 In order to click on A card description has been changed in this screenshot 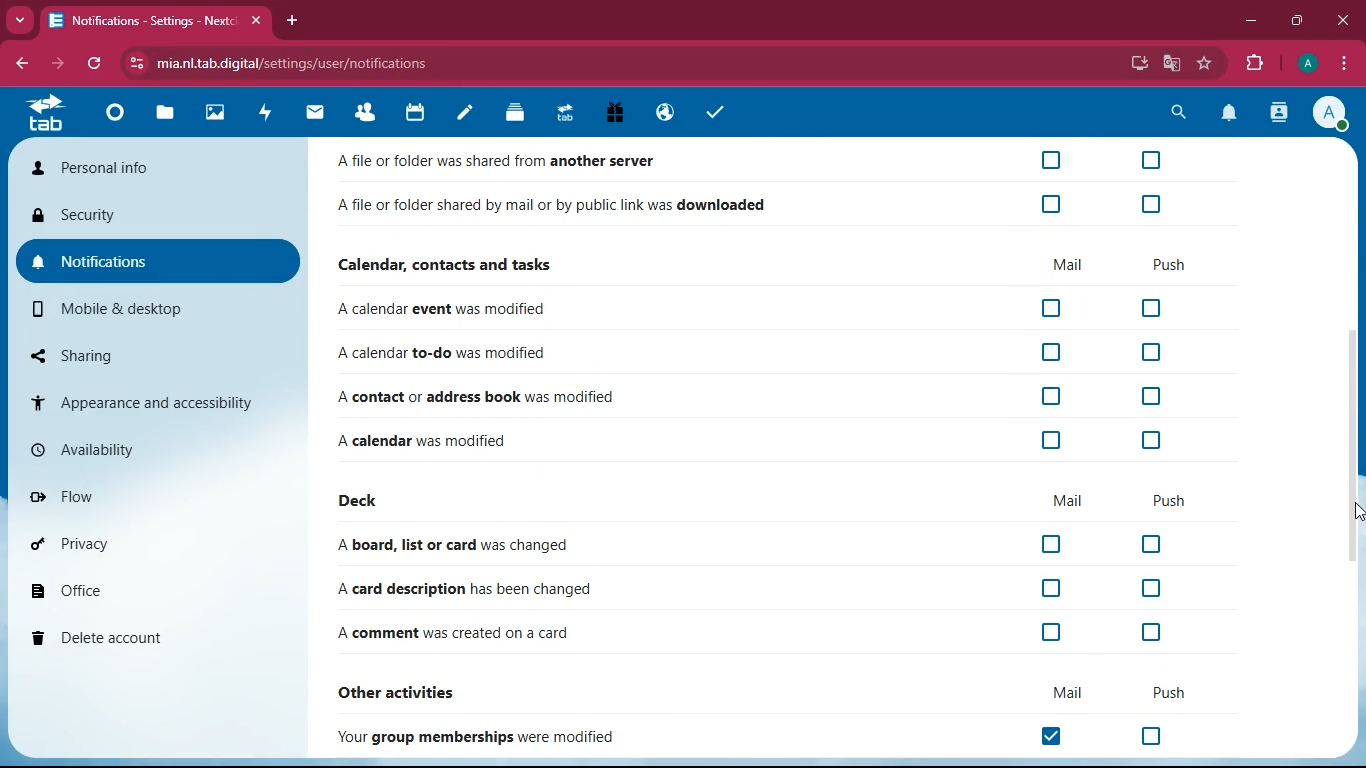, I will do `click(459, 589)`.